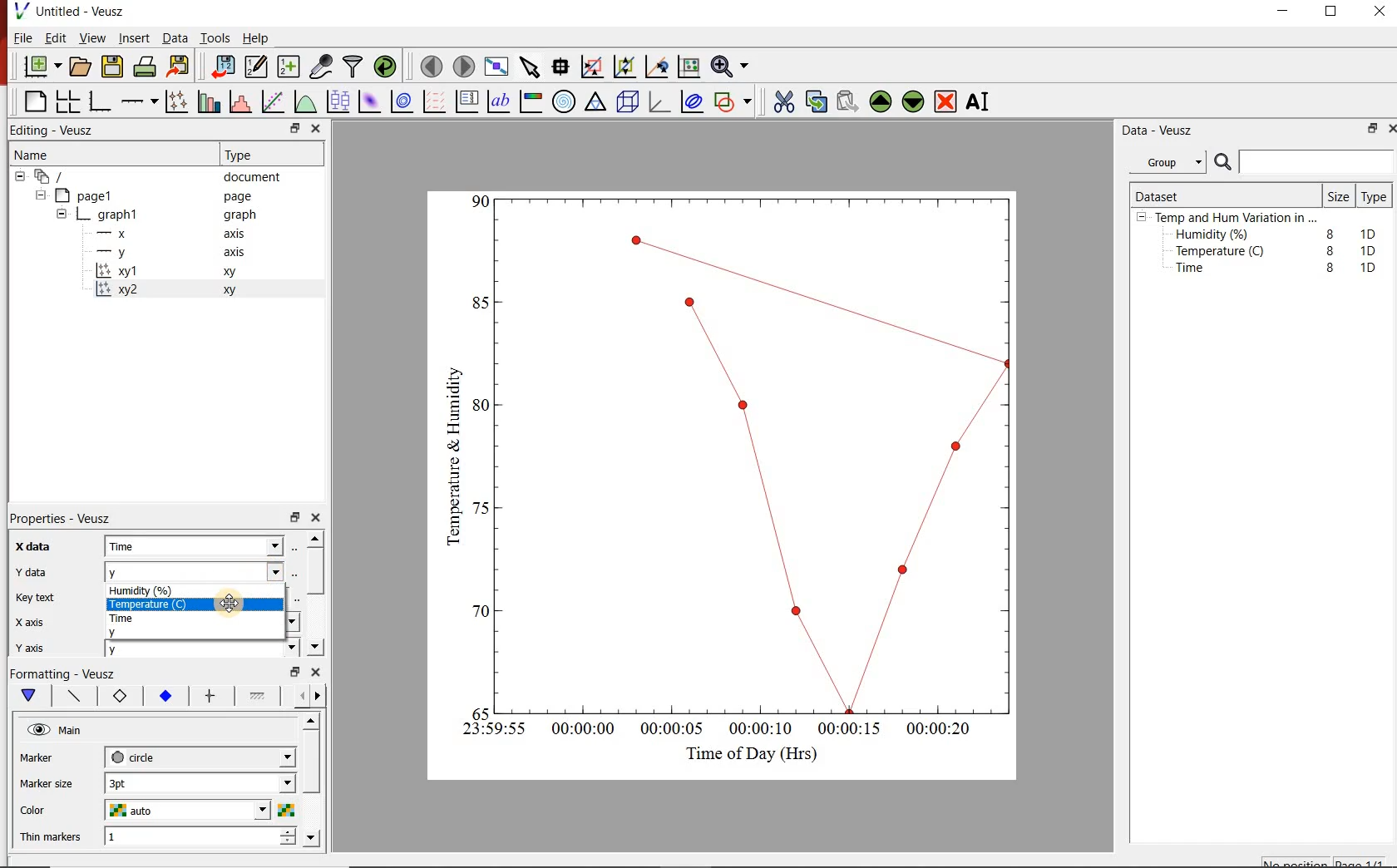 The image size is (1397, 868). Describe the element at coordinates (1380, 12) in the screenshot. I see `close` at that location.